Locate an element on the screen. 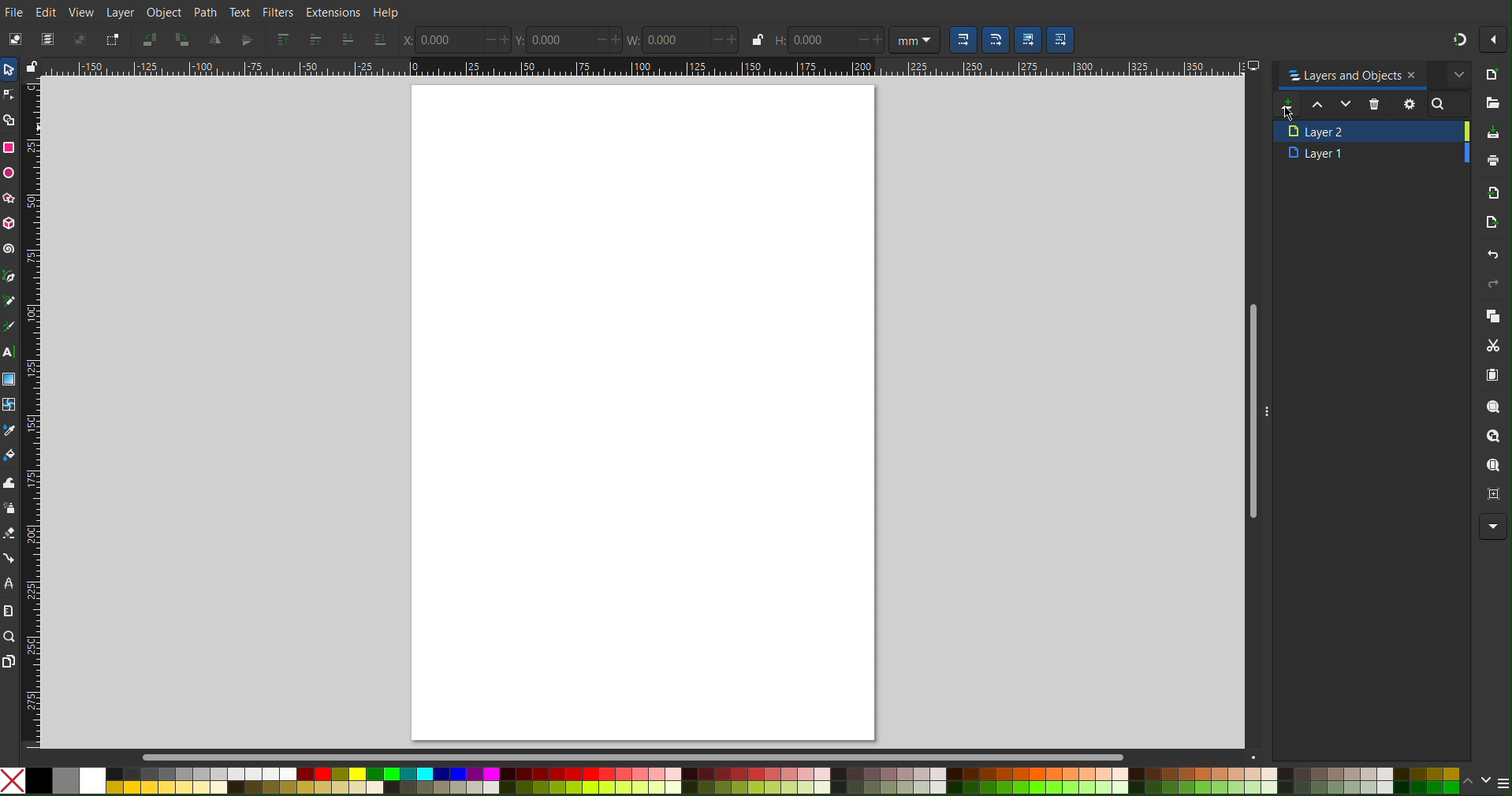  Path is located at coordinates (204, 13).